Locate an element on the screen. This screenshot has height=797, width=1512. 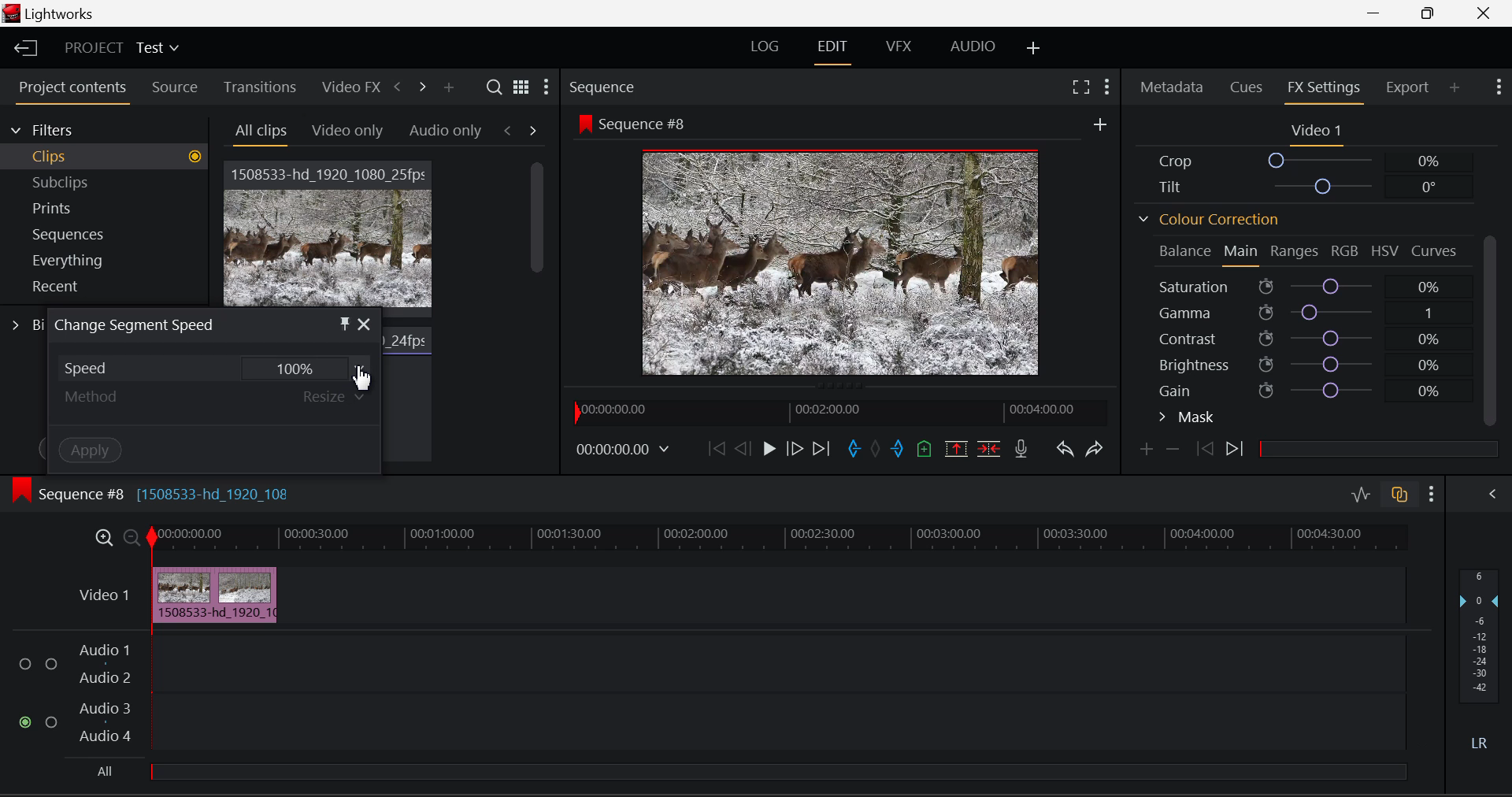
Project Title is located at coordinates (124, 49).